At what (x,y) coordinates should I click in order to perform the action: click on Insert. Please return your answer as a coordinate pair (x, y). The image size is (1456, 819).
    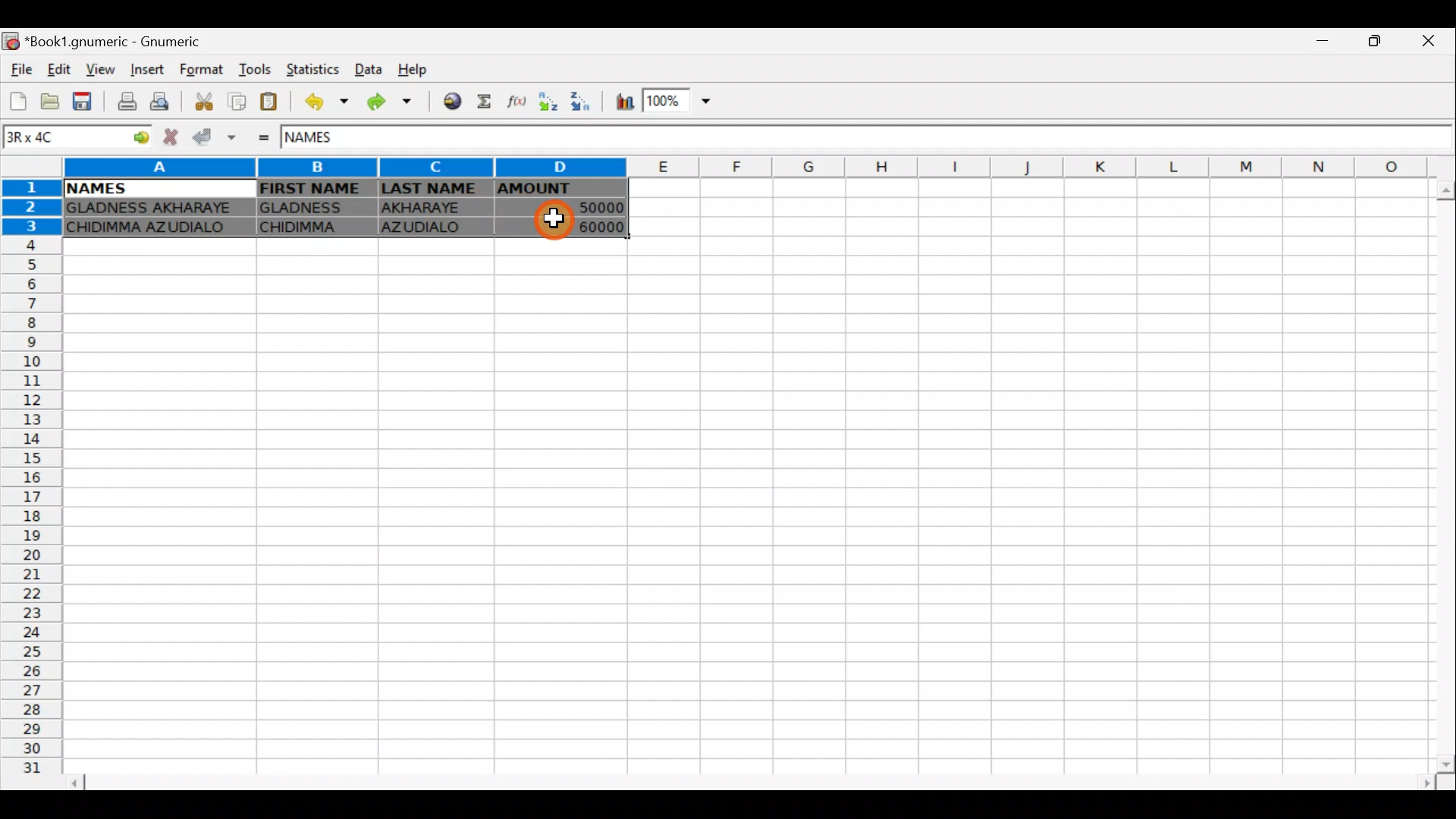
    Looking at the image, I should click on (150, 69).